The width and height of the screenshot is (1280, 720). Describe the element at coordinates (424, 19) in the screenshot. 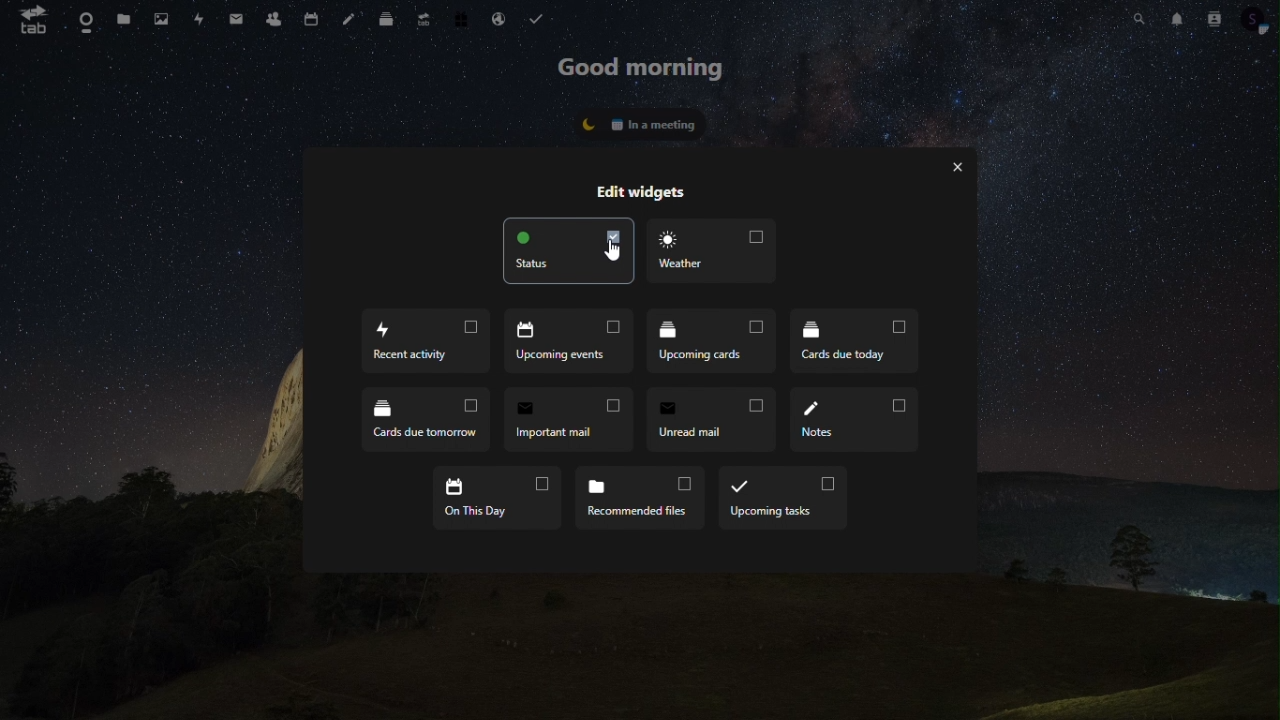

I see `upgrade` at that location.